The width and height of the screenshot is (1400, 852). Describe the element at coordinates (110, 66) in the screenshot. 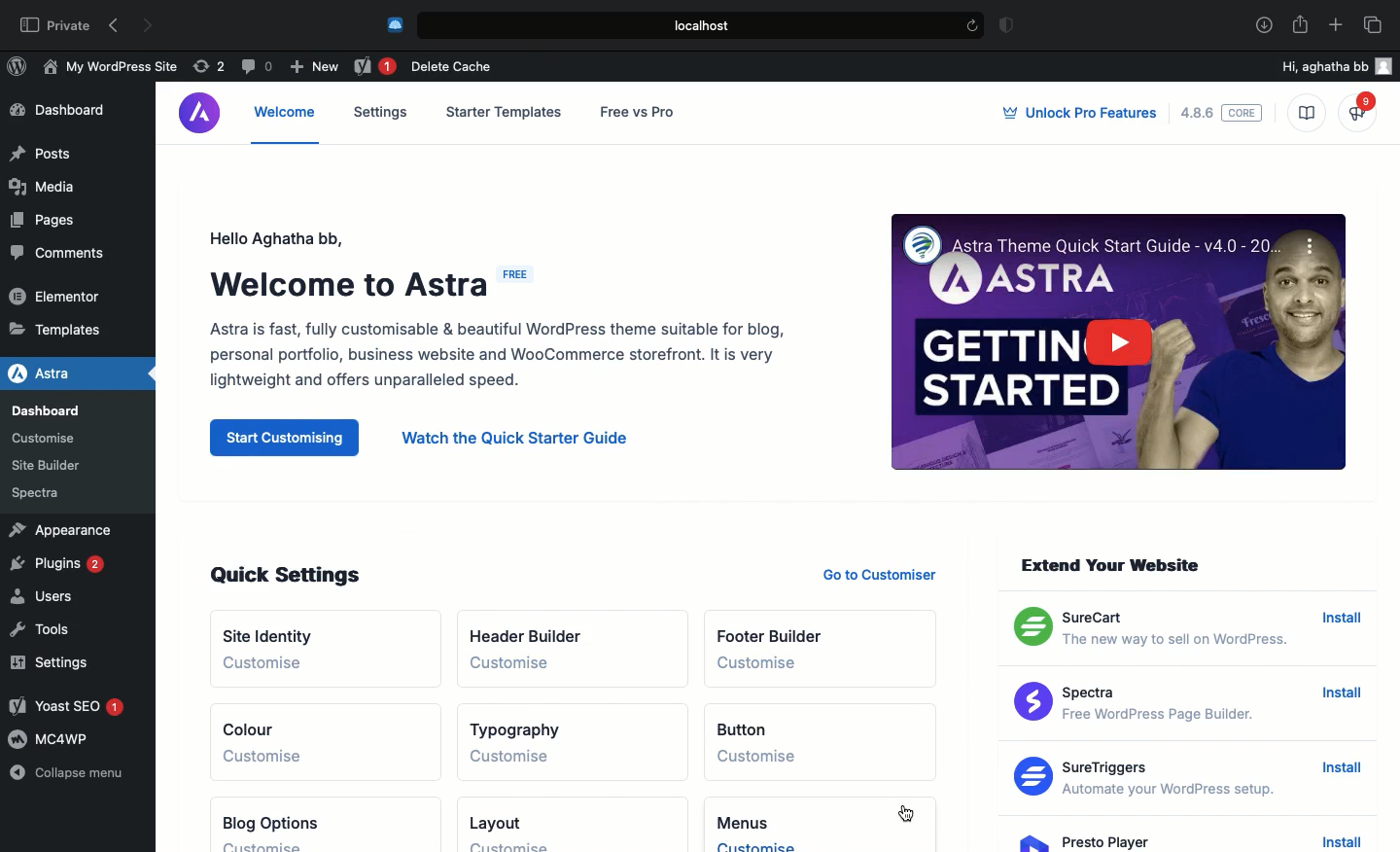

I see `My WordPress Site` at that location.